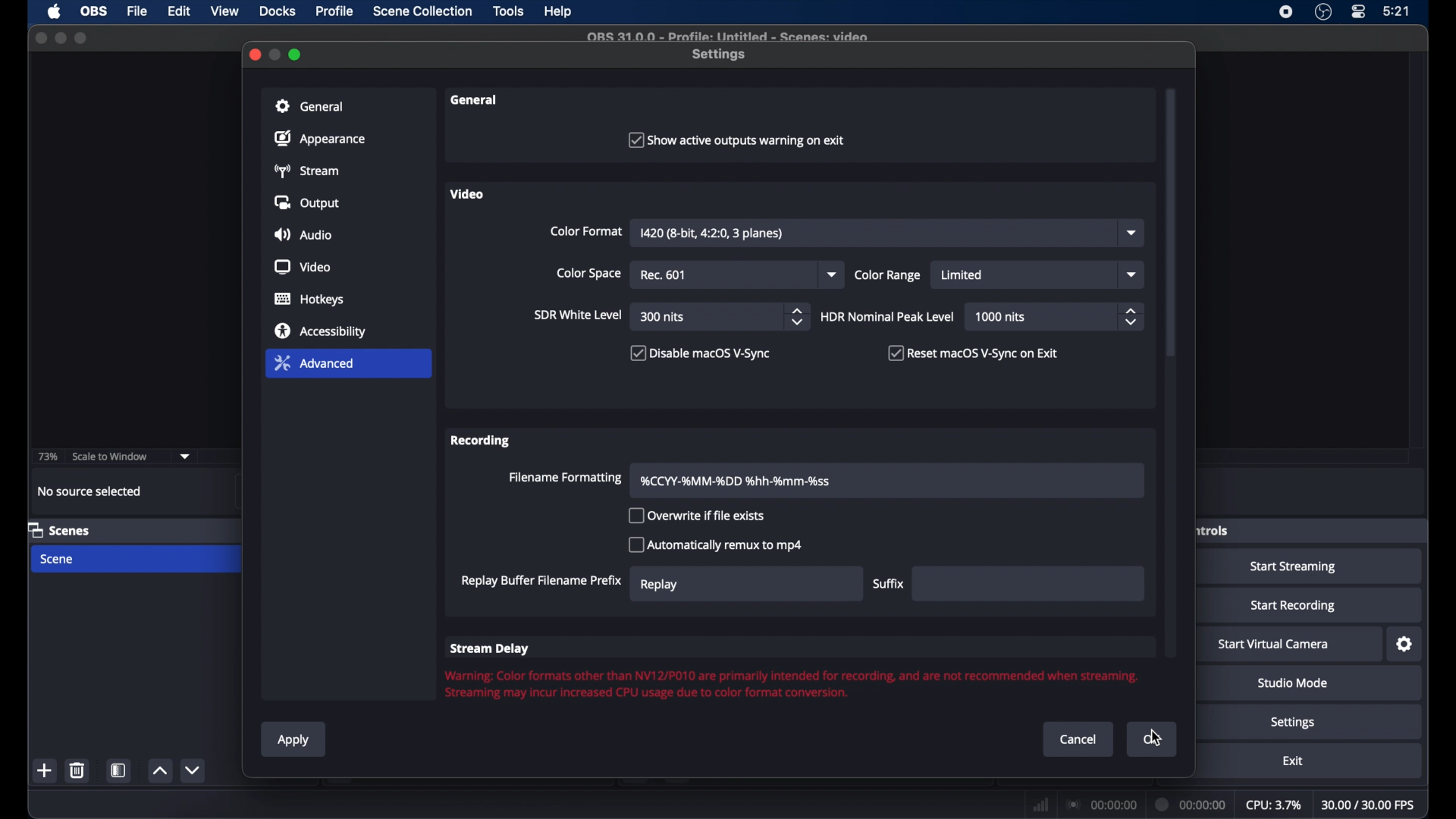 The image size is (1456, 819). I want to click on color range, so click(887, 276).